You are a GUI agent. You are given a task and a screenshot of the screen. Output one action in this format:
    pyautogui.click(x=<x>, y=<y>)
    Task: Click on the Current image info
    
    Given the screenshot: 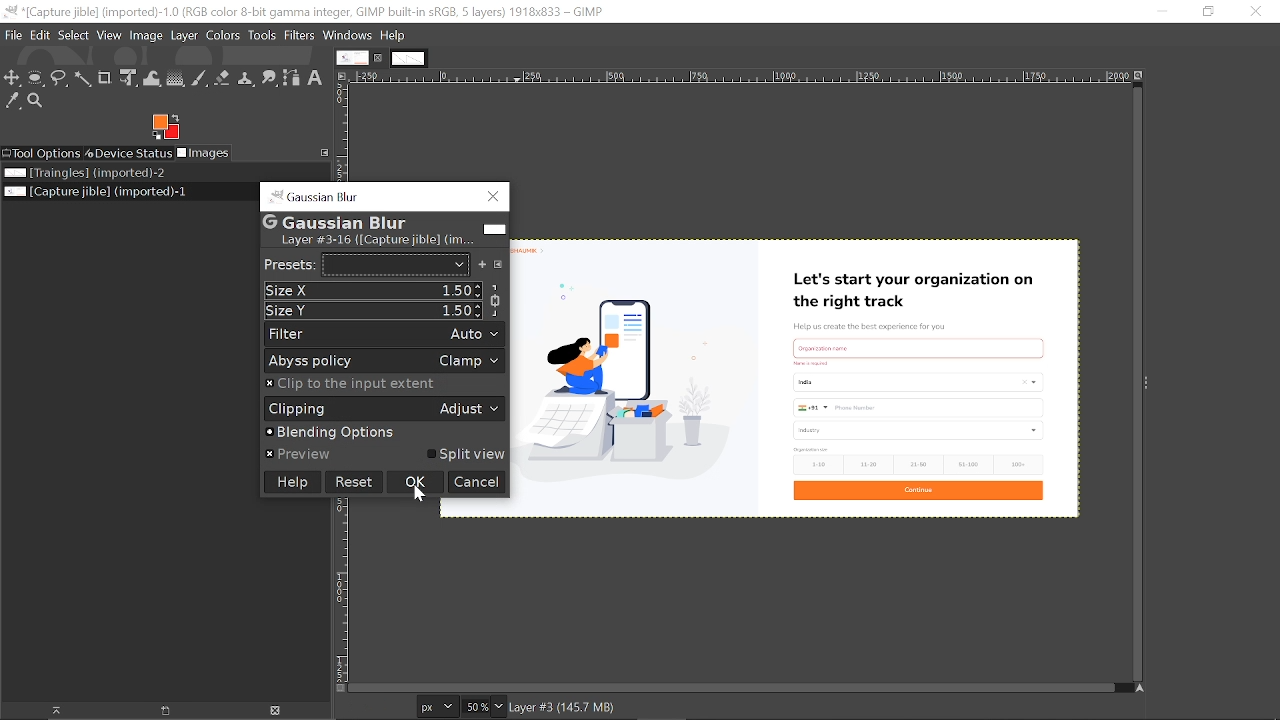 What is the action you would take?
    pyautogui.click(x=563, y=707)
    